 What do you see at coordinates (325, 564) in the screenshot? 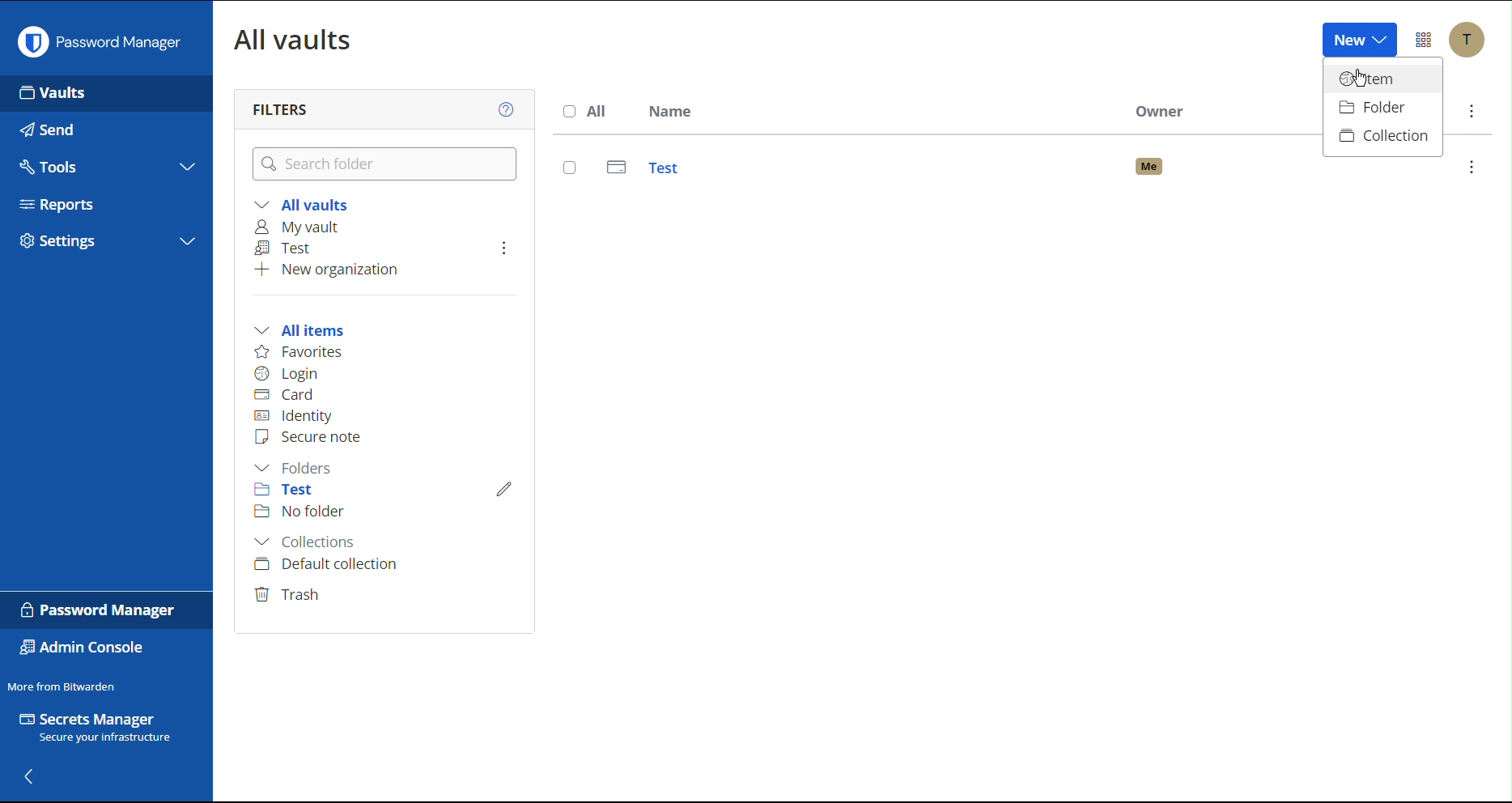
I see `Default collection` at bounding box center [325, 564].